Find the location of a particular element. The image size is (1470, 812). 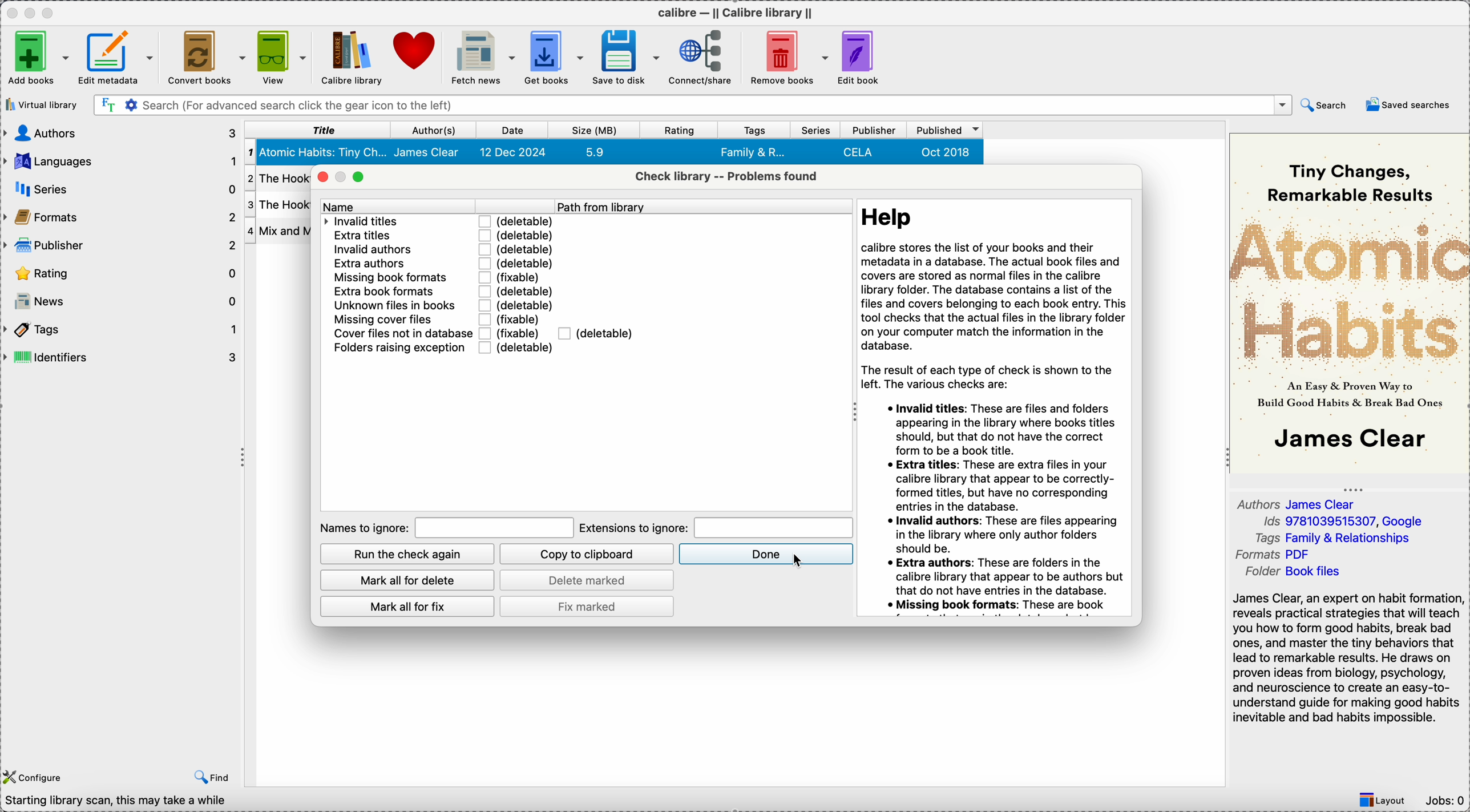

minimize app is located at coordinates (30, 11).